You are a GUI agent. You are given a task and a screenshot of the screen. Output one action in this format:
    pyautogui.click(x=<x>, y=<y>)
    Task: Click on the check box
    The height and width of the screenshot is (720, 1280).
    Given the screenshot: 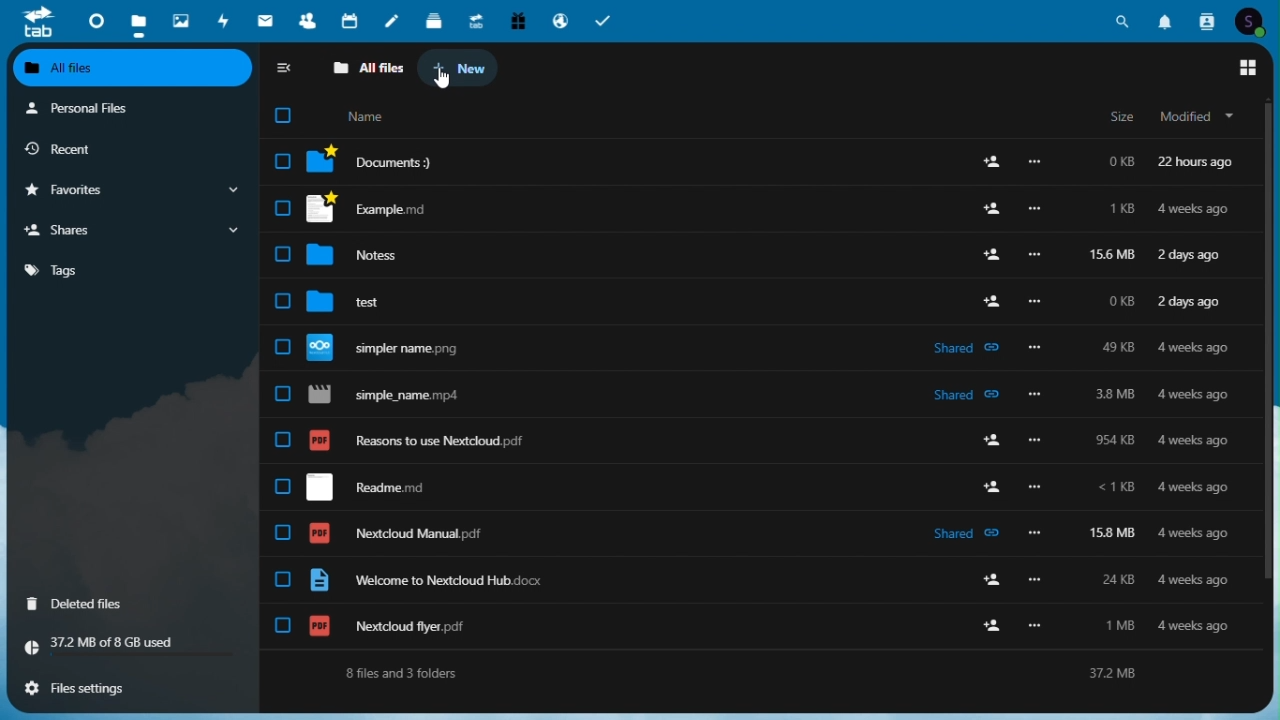 What is the action you would take?
    pyautogui.click(x=283, y=625)
    